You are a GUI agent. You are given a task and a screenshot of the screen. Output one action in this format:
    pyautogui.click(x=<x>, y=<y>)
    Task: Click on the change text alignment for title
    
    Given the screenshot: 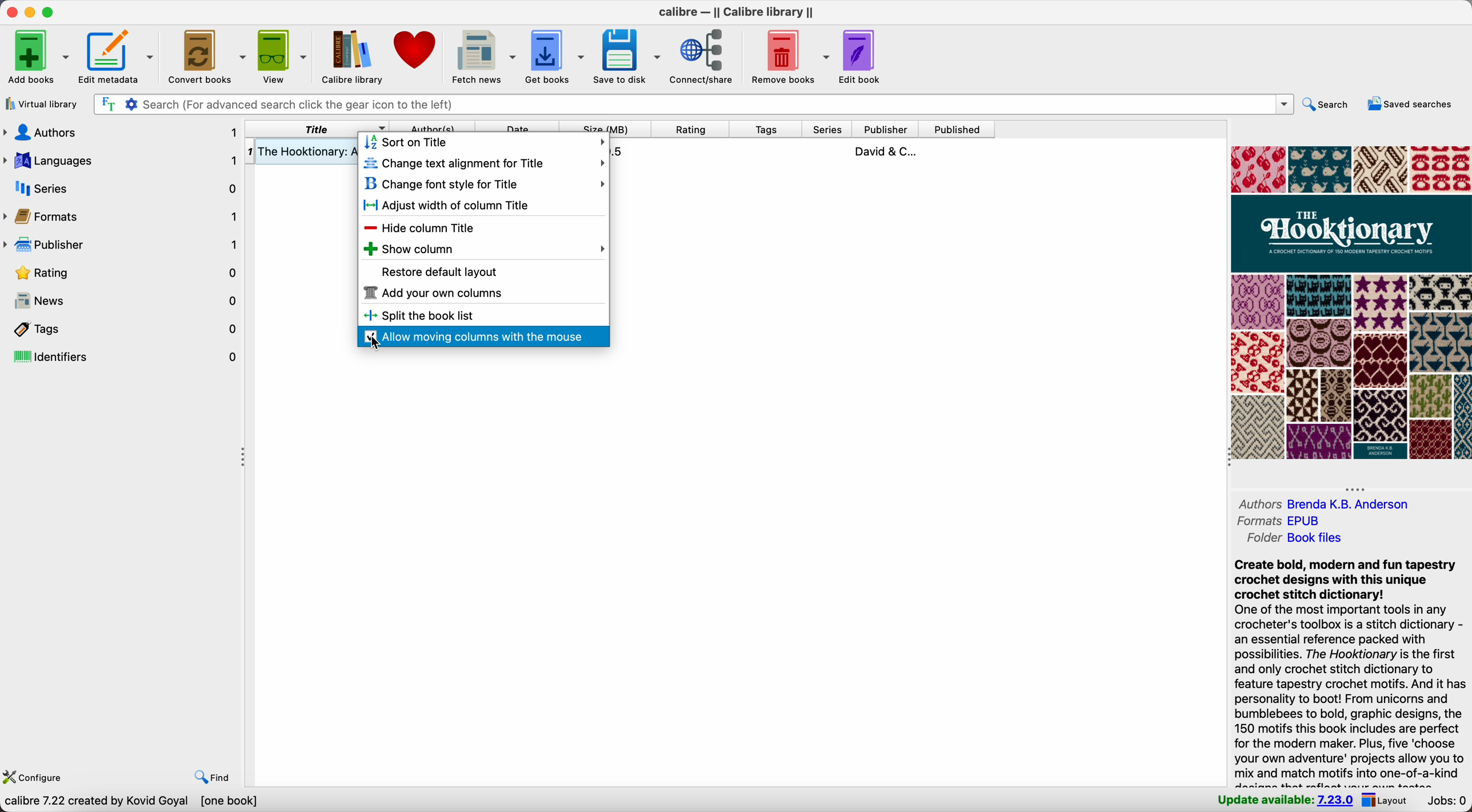 What is the action you would take?
    pyautogui.click(x=486, y=163)
    